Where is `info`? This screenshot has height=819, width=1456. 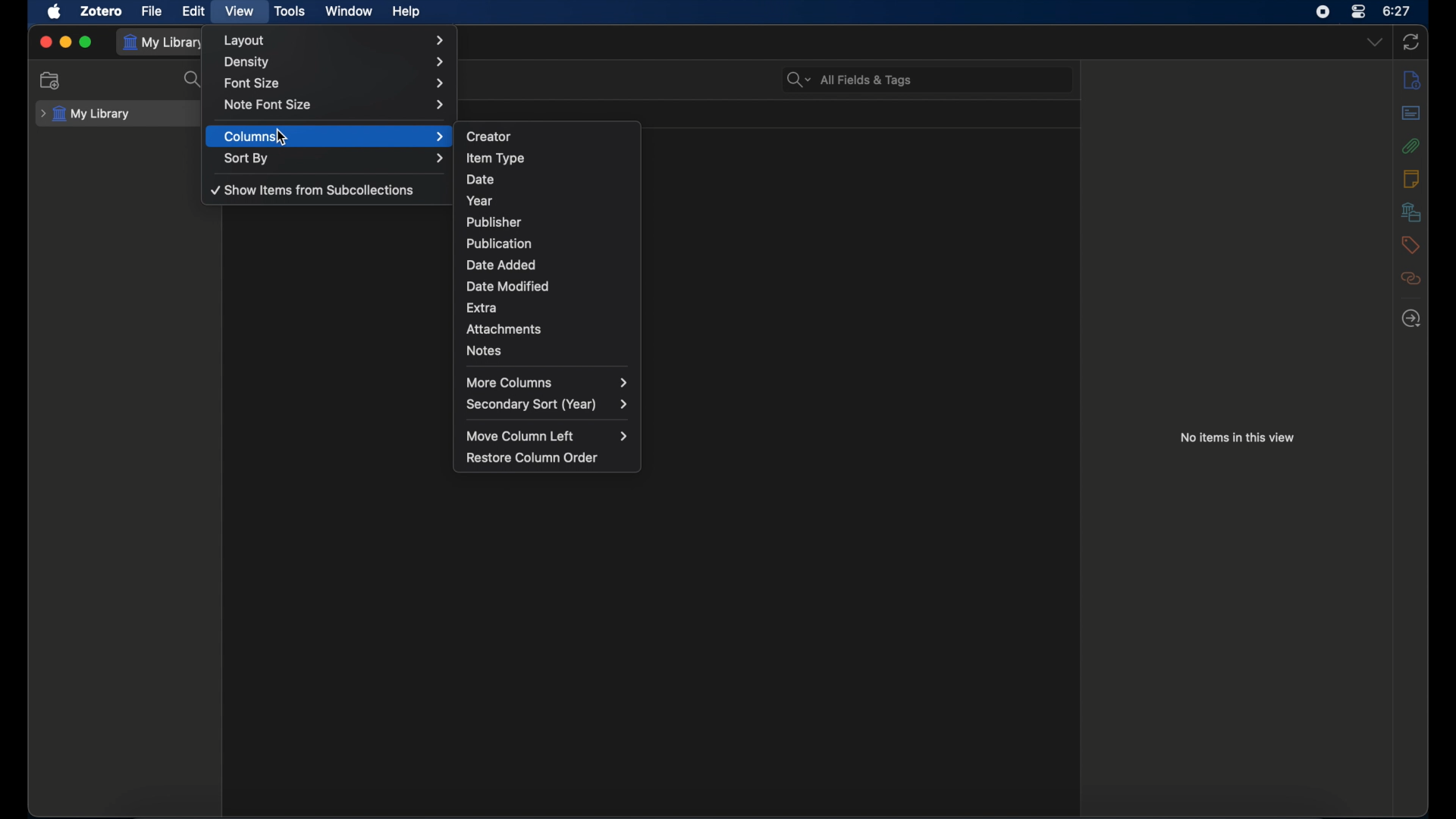 info is located at coordinates (1412, 80).